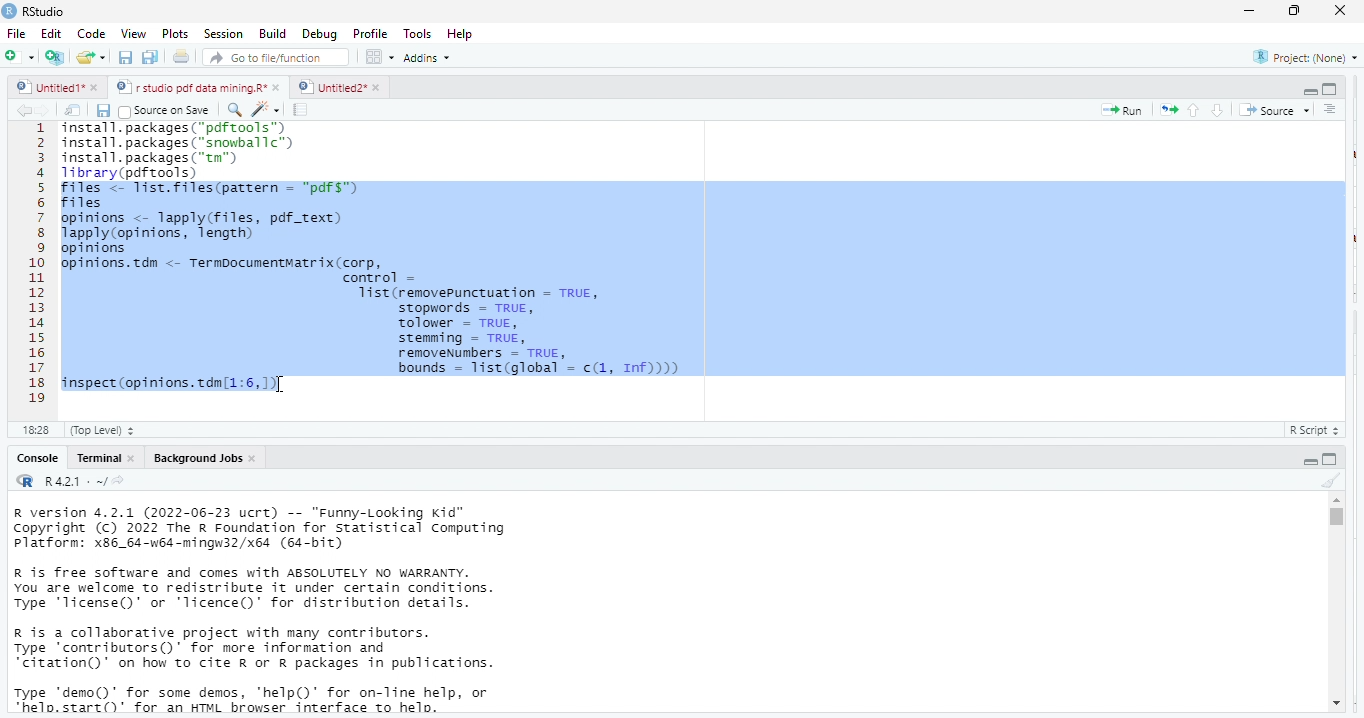  I want to click on hide console, so click(1330, 89).